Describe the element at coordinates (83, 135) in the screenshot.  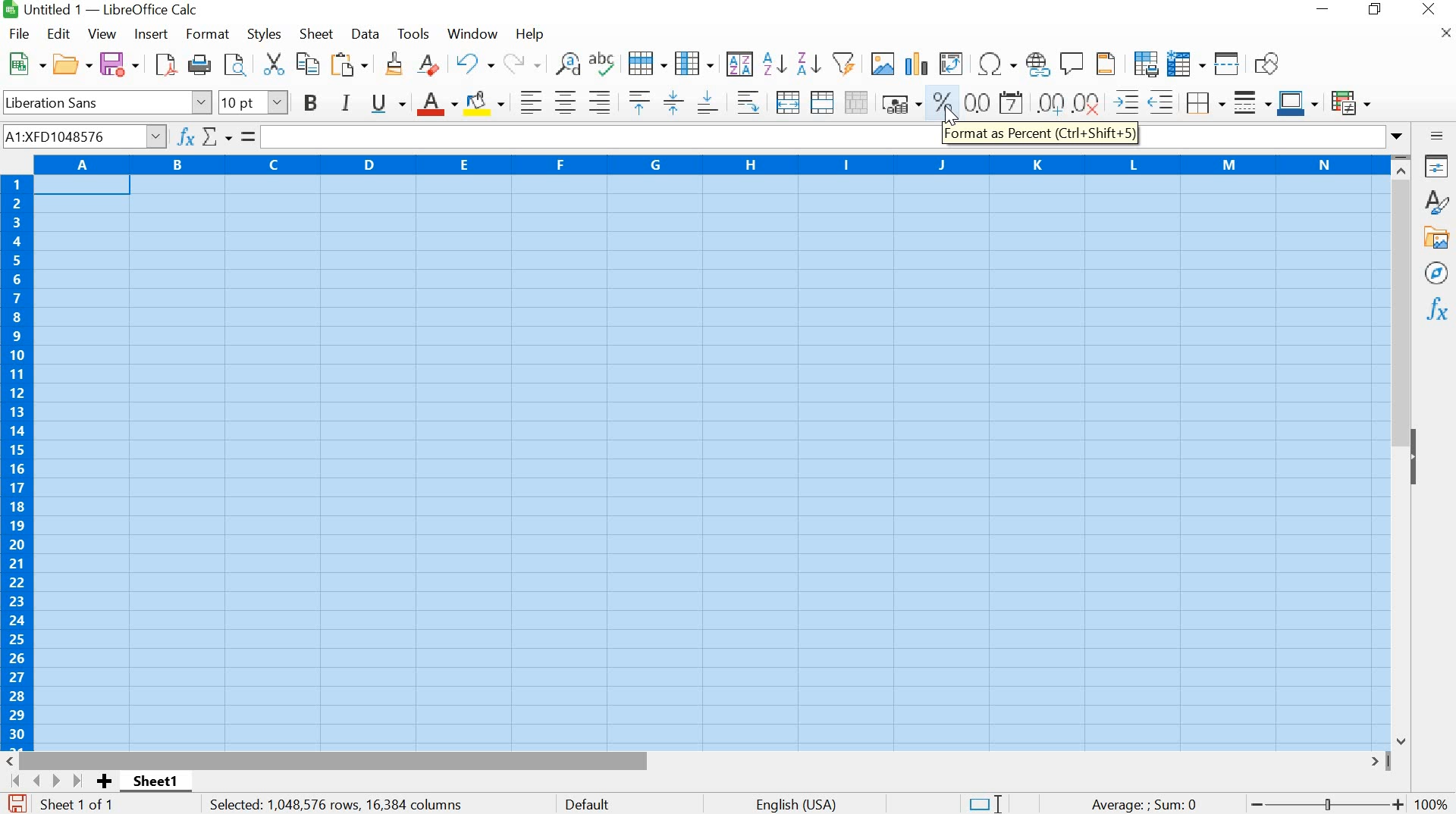
I see `Name Box` at that location.